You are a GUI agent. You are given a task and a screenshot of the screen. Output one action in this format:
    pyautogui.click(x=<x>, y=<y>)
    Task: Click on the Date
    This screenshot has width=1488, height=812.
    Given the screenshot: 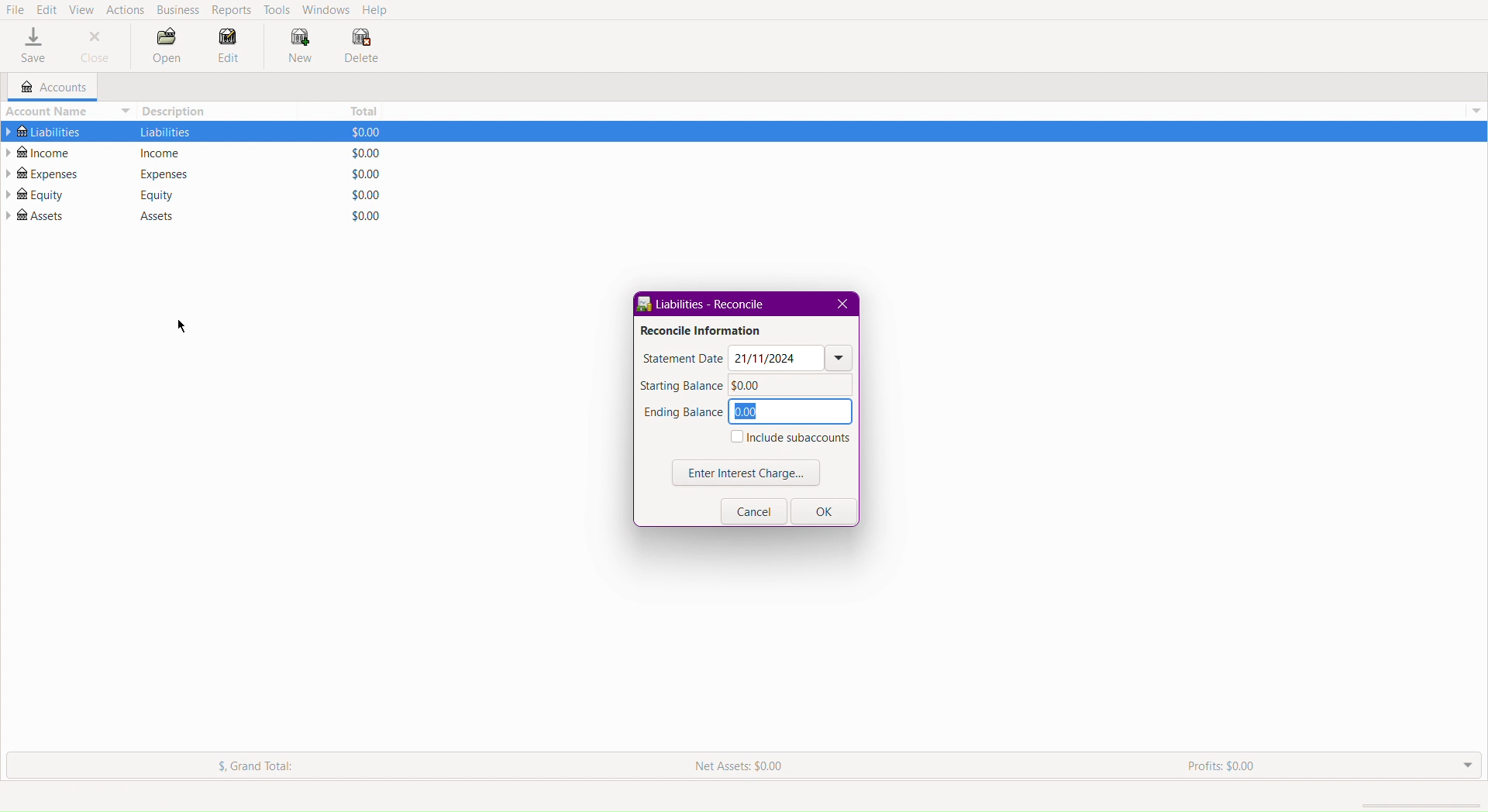 What is the action you would take?
    pyautogui.click(x=789, y=359)
    